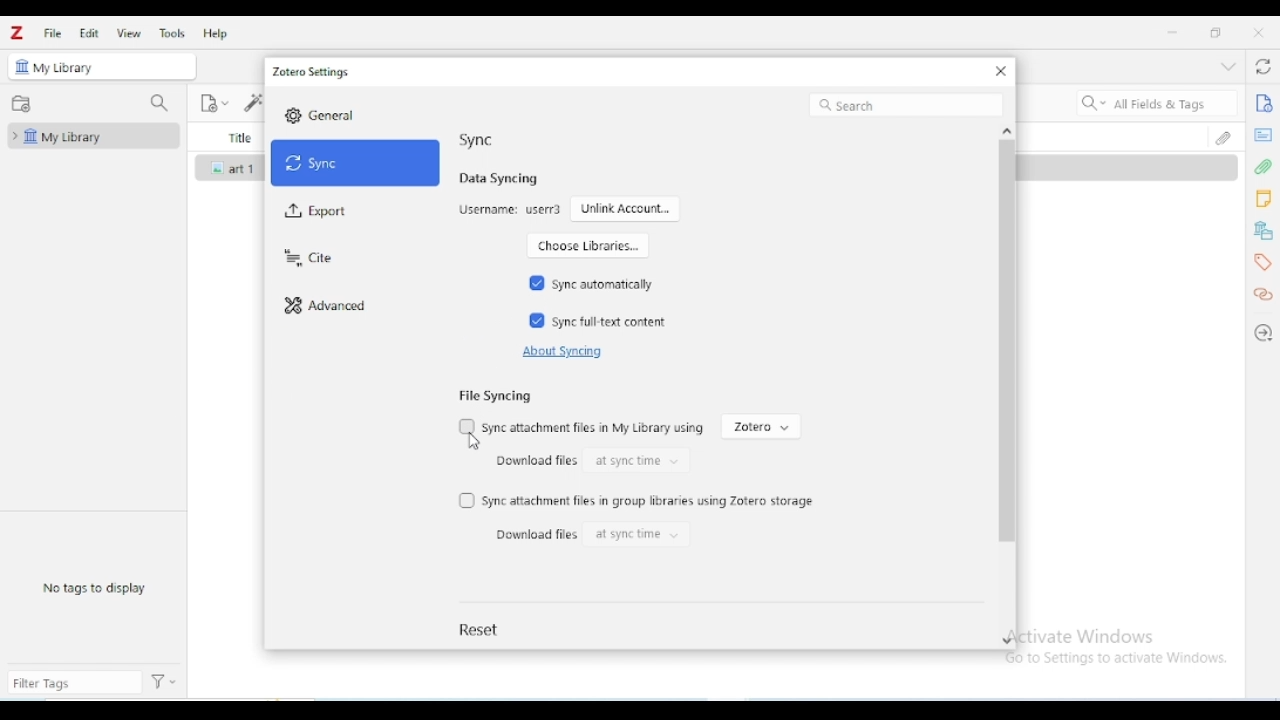  I want to click on new collection, so click(21, 104).